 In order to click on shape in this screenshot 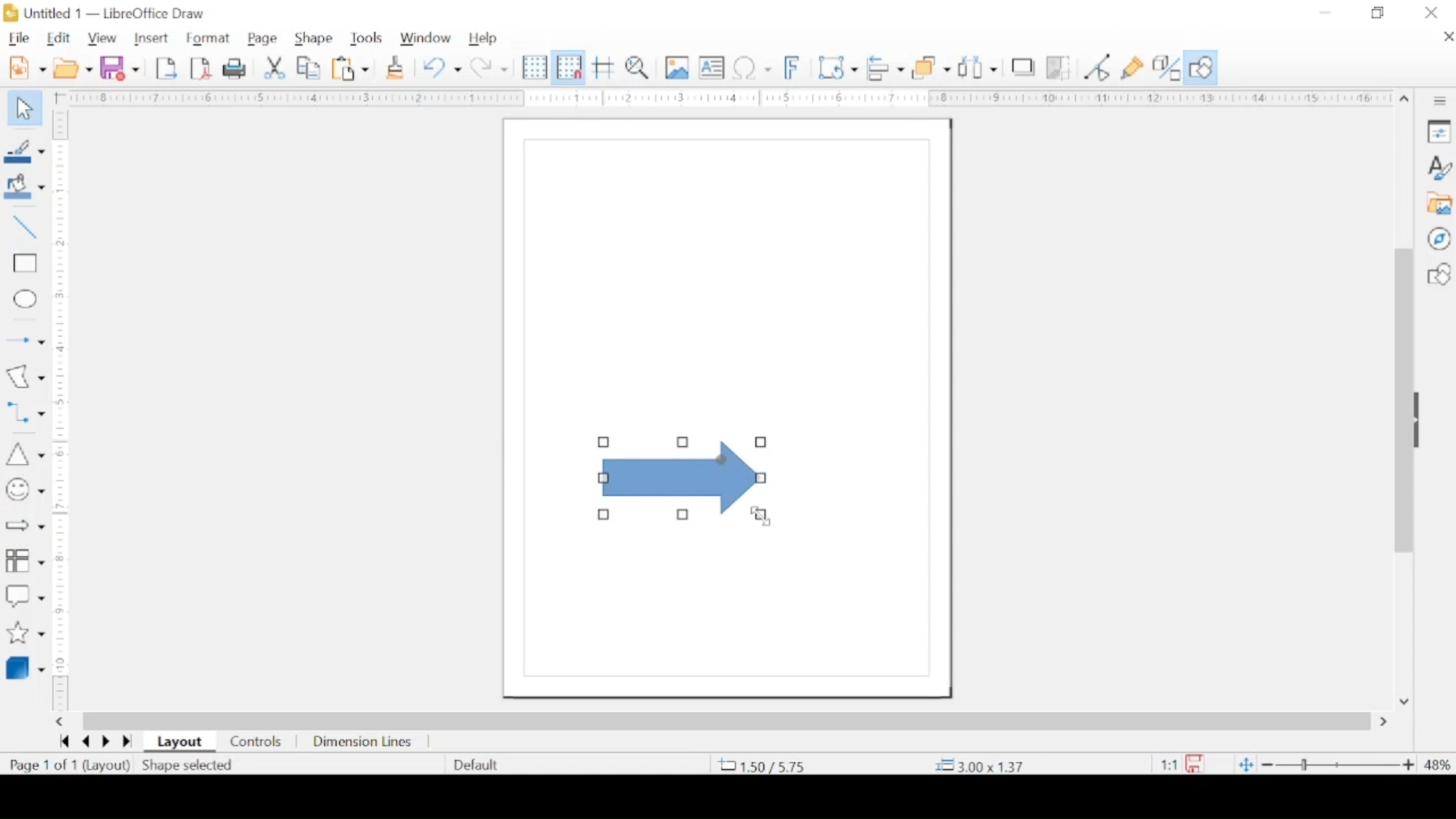, I will do `click(314, 39)`.